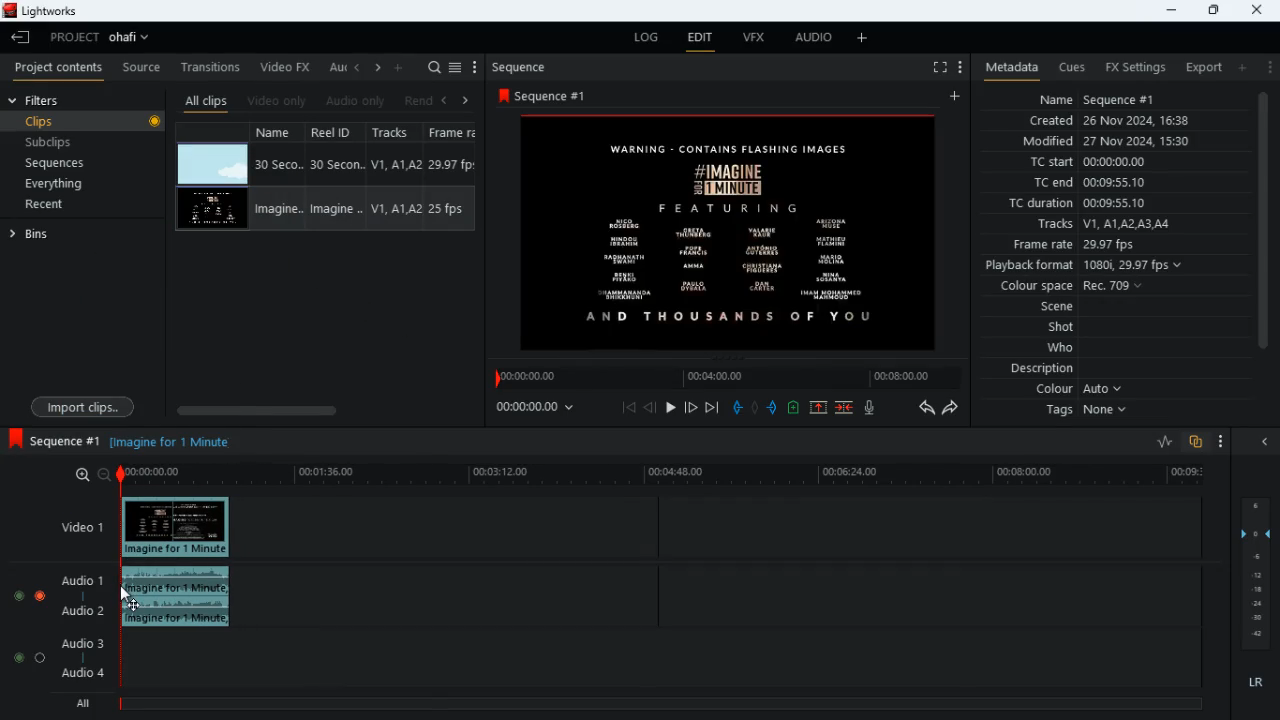 The height and width of the screenshot is (720, 1280). Describe the element at coordinates (104, 37) in the screenshot. I see `project` at that location.